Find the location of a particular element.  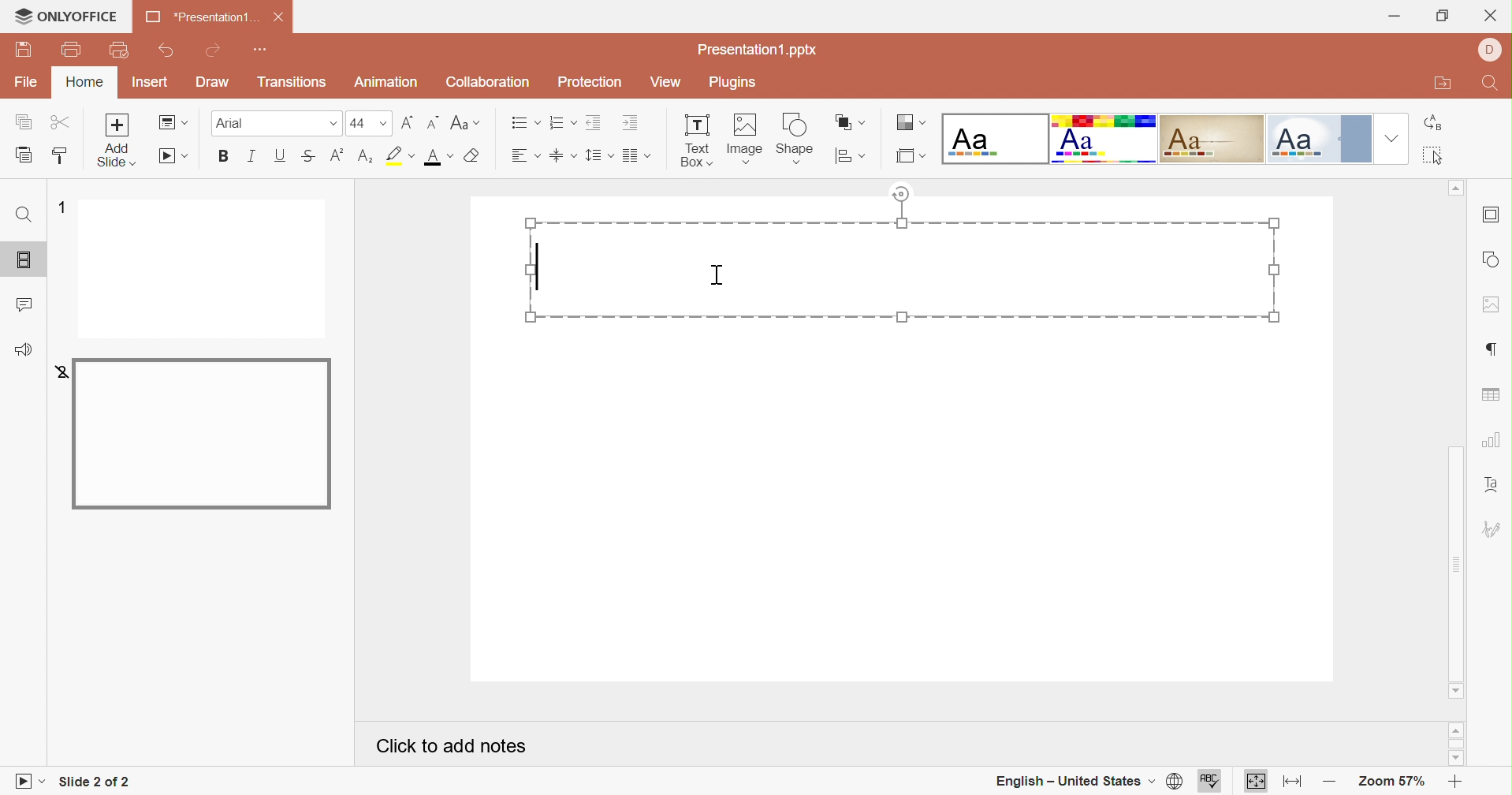

Slide 1 preview is located at coordinates (201, 268).